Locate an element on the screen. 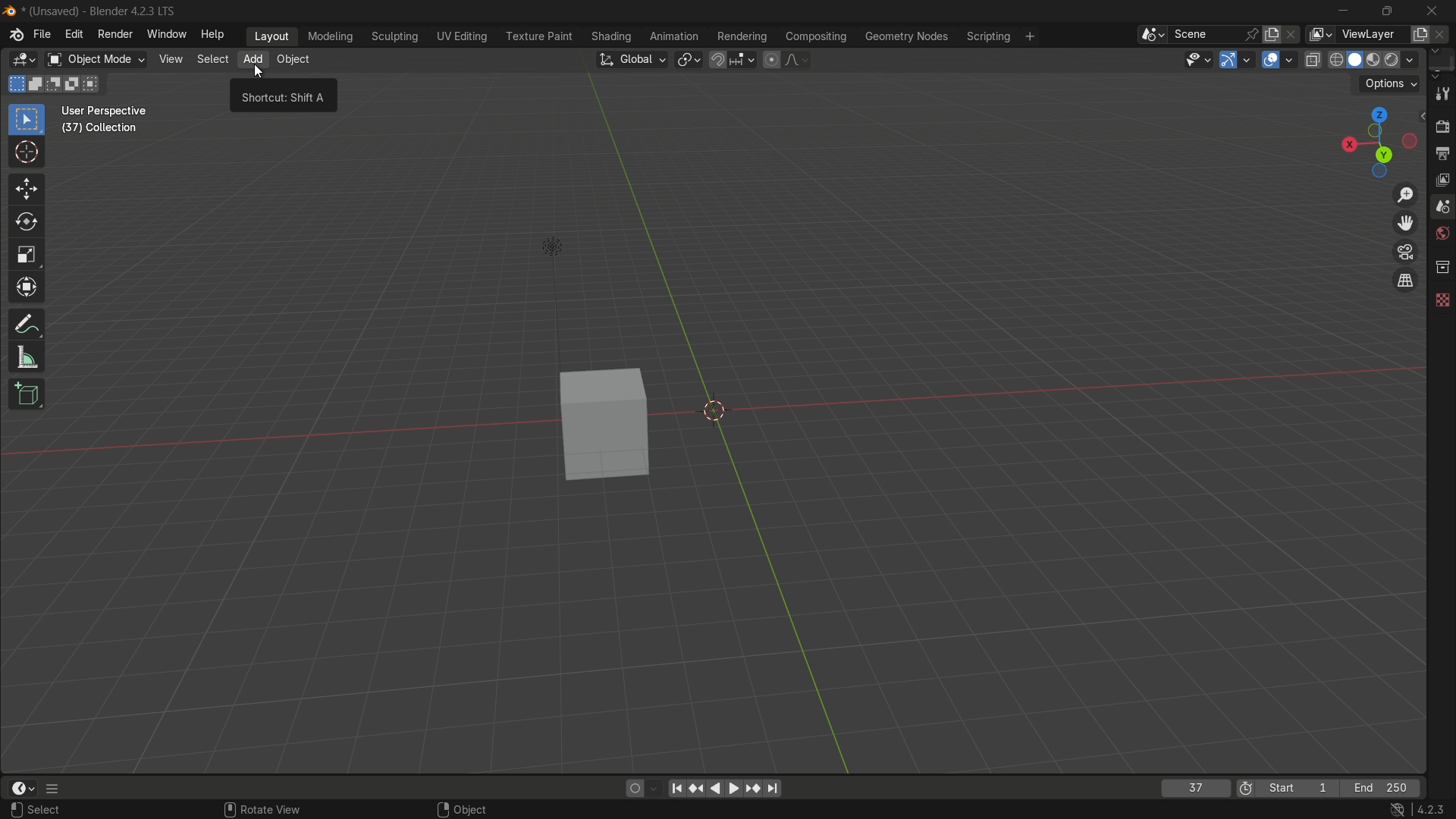 The width and height of the screenshot is (1456, 819). rotate is located at coordinates (27, 223).